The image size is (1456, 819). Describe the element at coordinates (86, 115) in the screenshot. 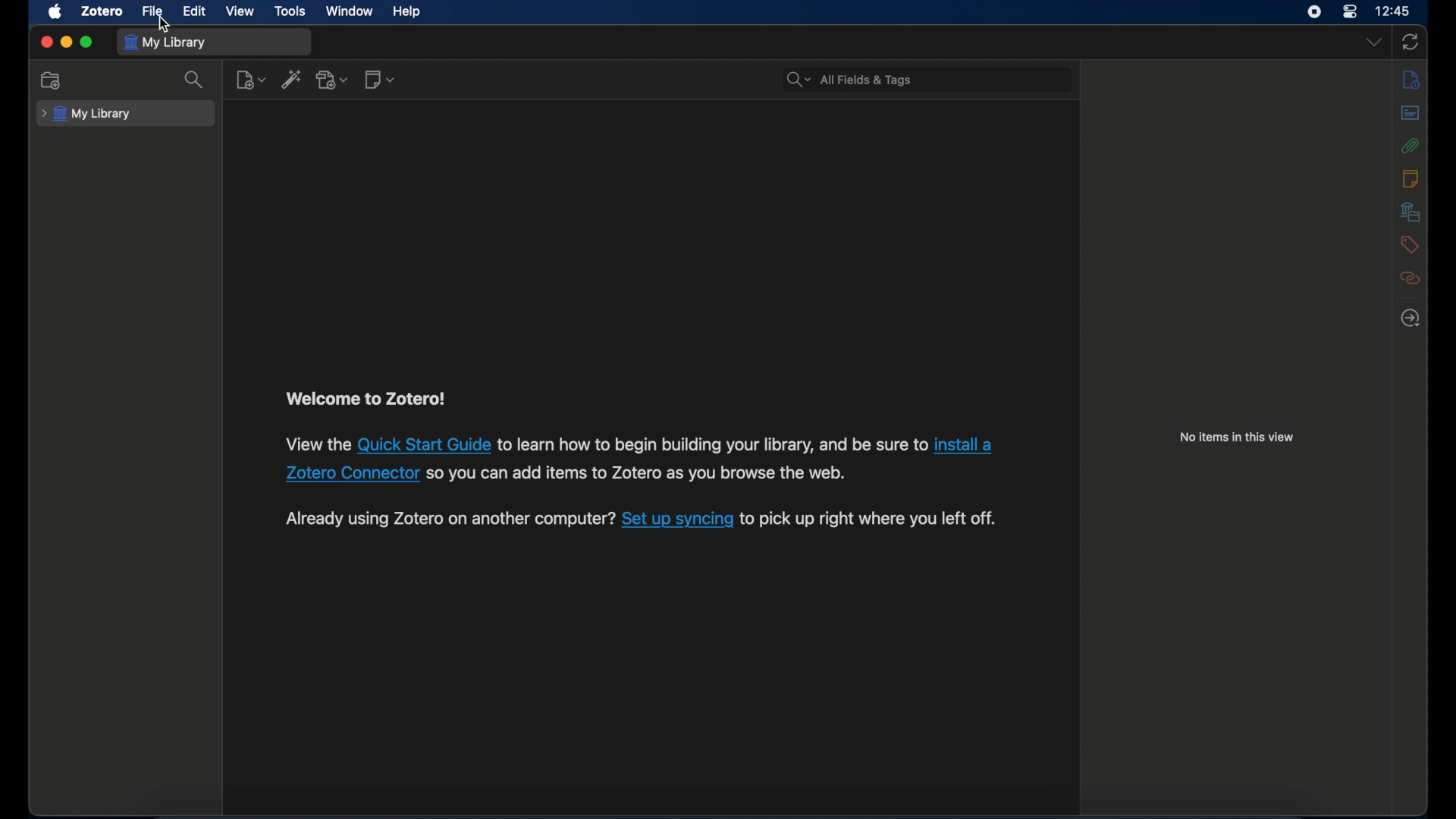

I see `my library` at that location.